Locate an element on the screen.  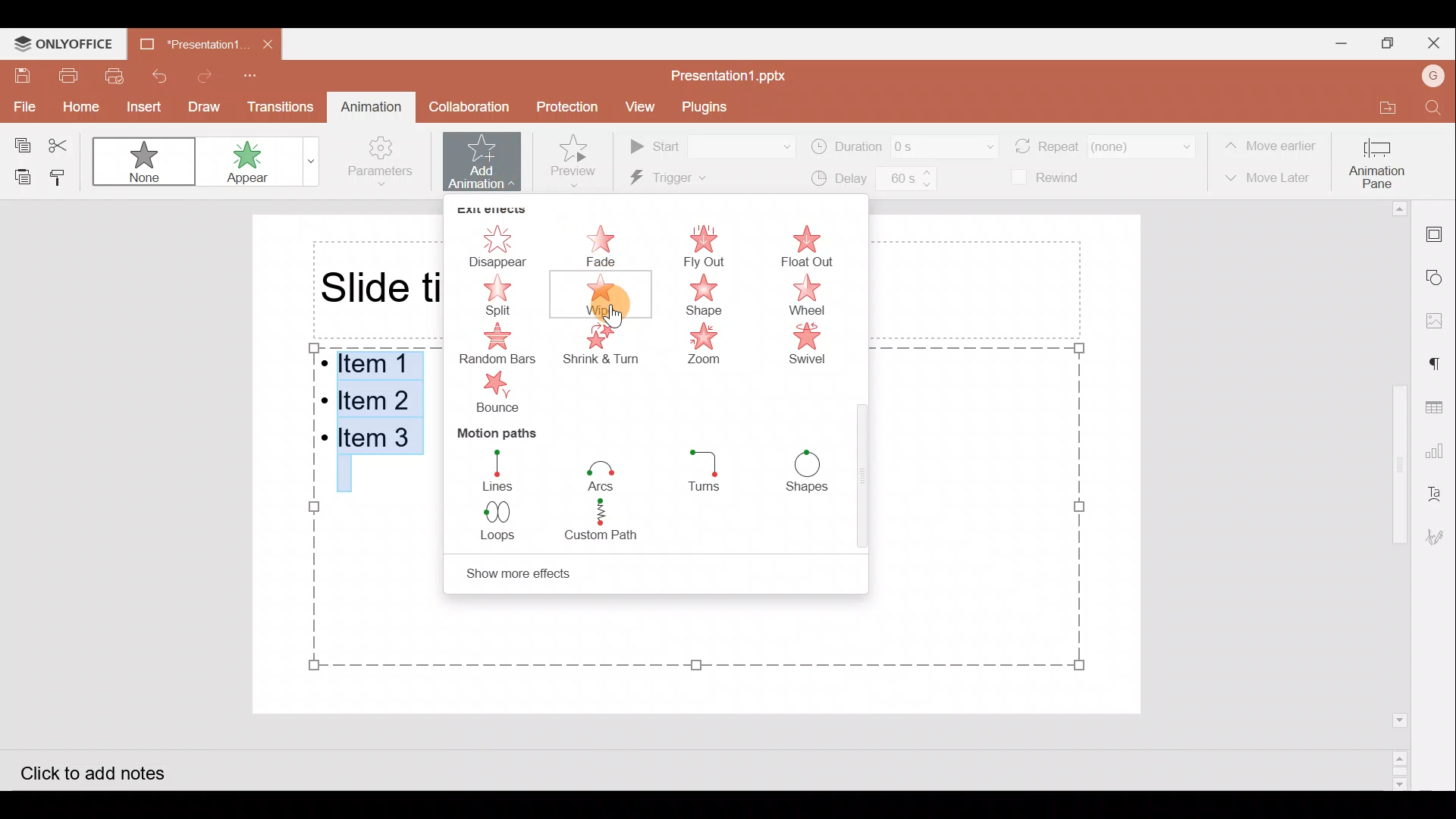
Fly out is located at coordinates (702, 243).